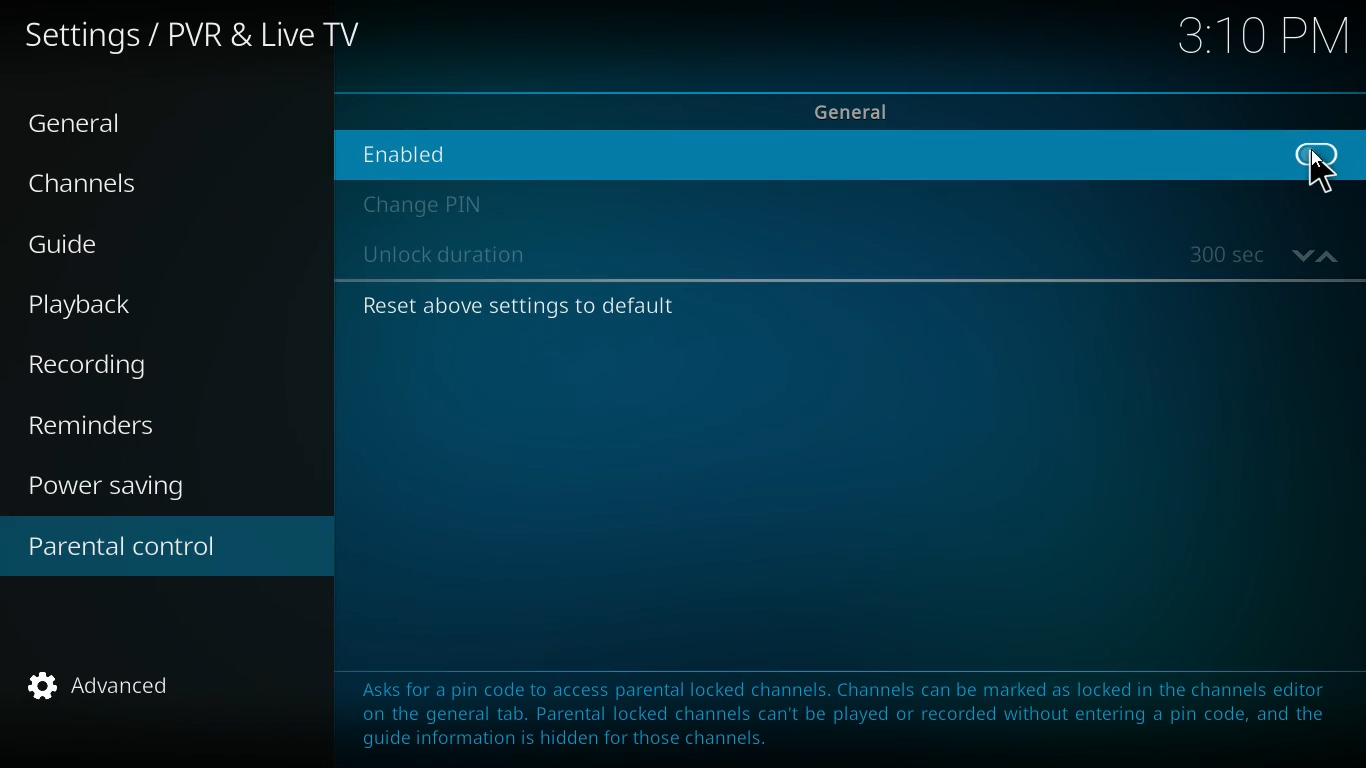  I want to click on recording, so click(117, 366).